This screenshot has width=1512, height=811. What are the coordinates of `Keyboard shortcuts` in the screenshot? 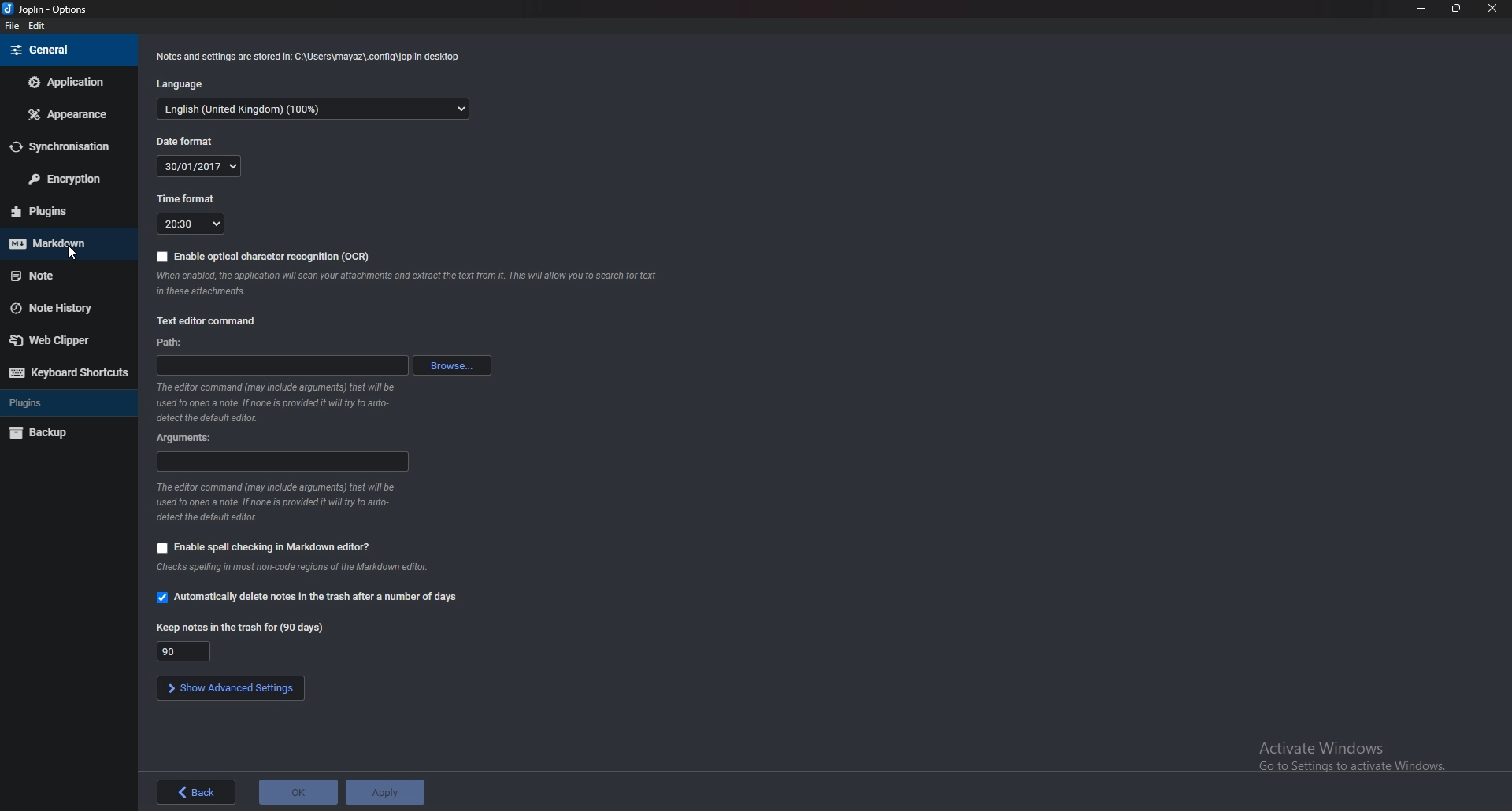 It's located at (65, 373).